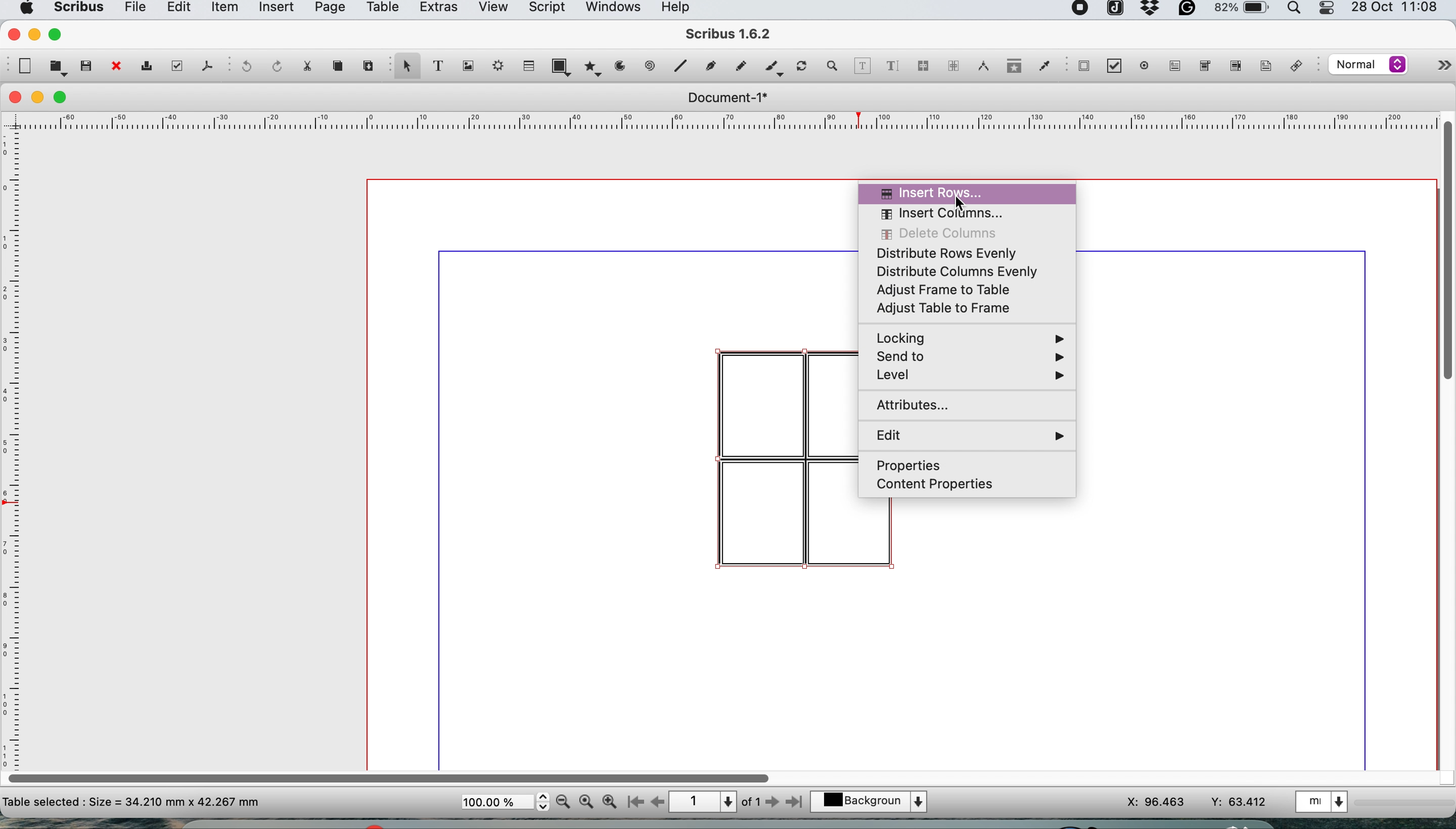 The width and height of the screenshot is (1456, 829). What do you see at coordinates (803, 67) in the screenshot?
I see `rotate` at bounding box center [803, 67].